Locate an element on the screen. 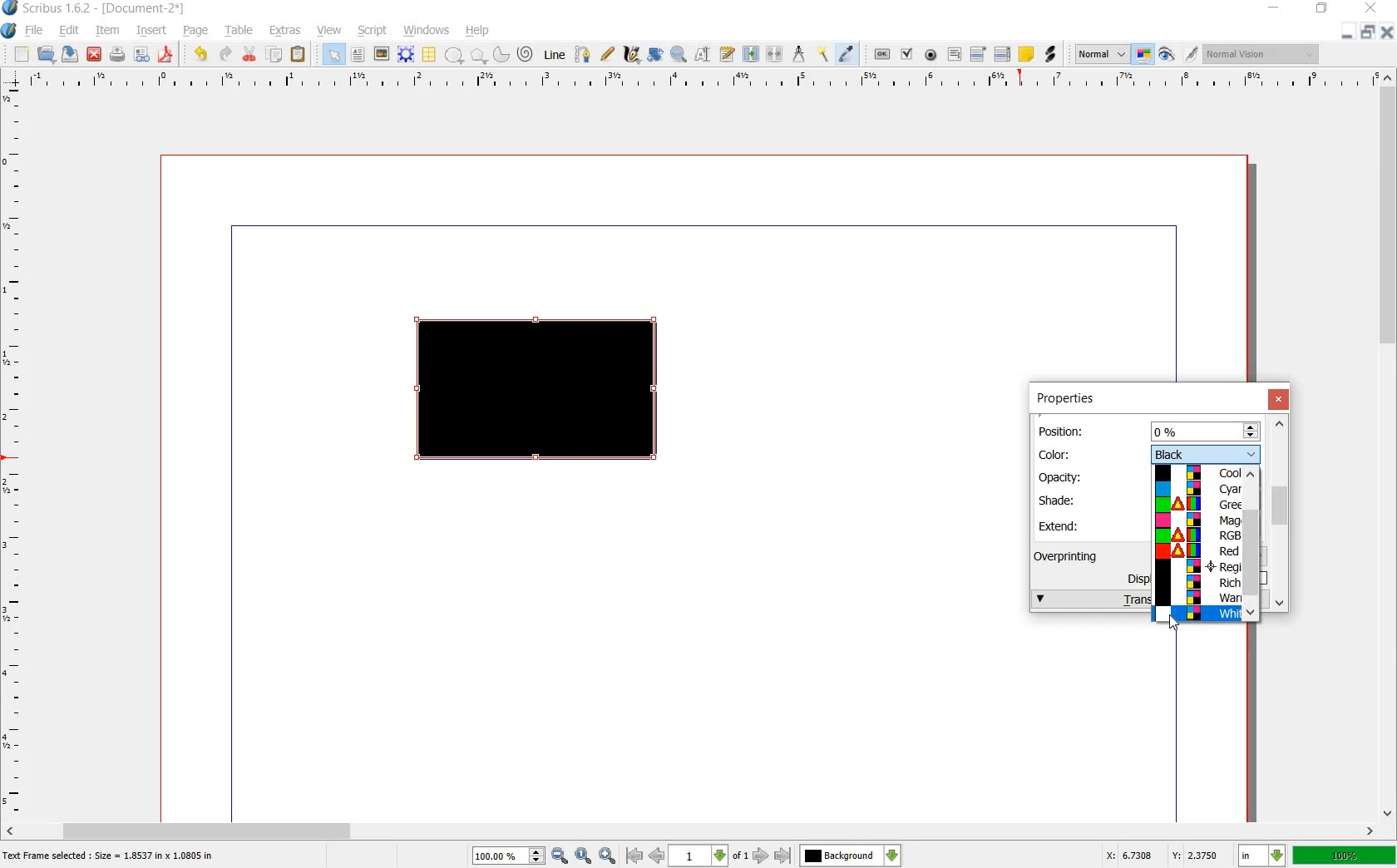  copy is located at coordinates (275, 55).